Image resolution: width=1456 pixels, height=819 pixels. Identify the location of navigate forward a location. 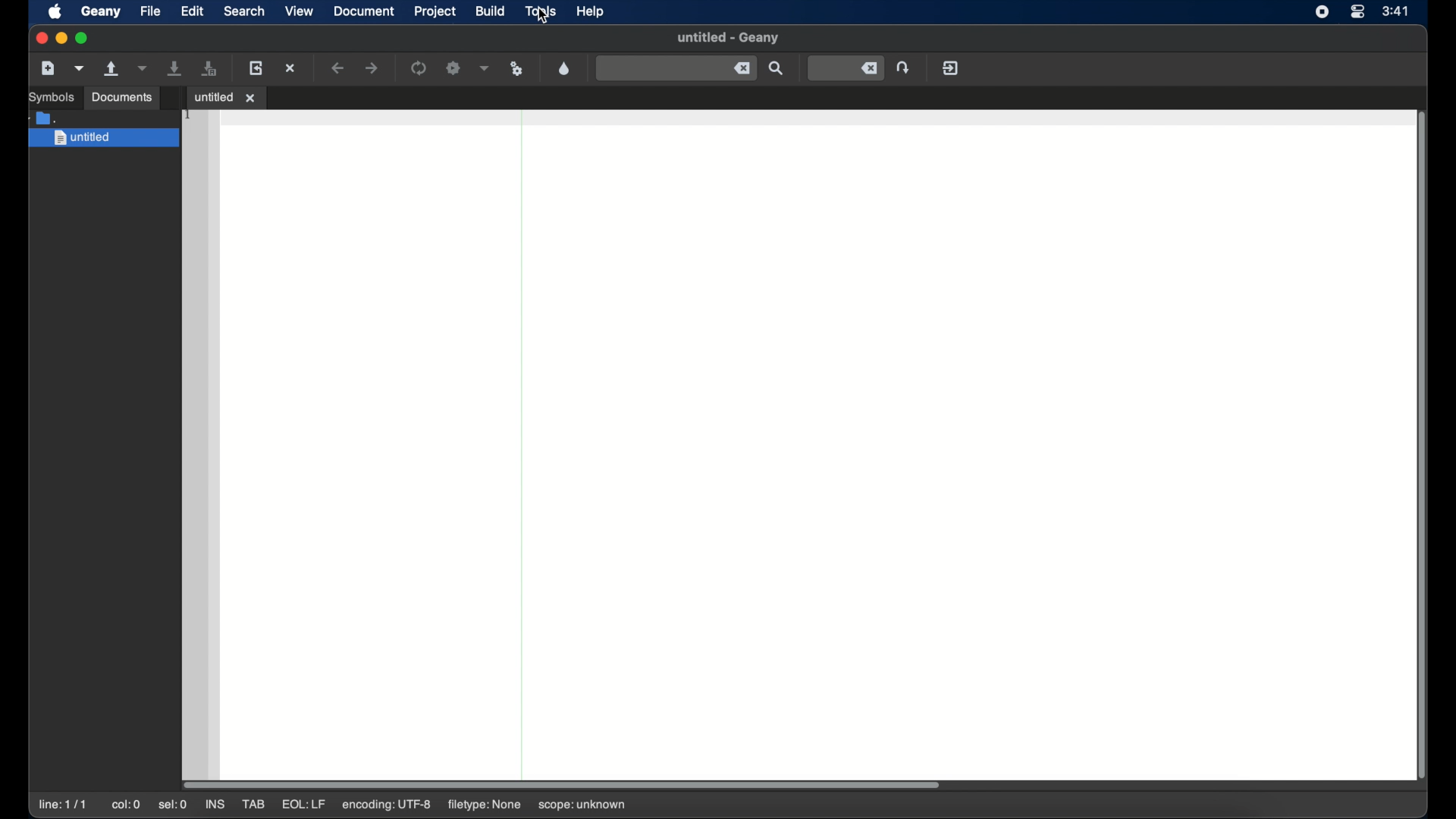
(372, 68).